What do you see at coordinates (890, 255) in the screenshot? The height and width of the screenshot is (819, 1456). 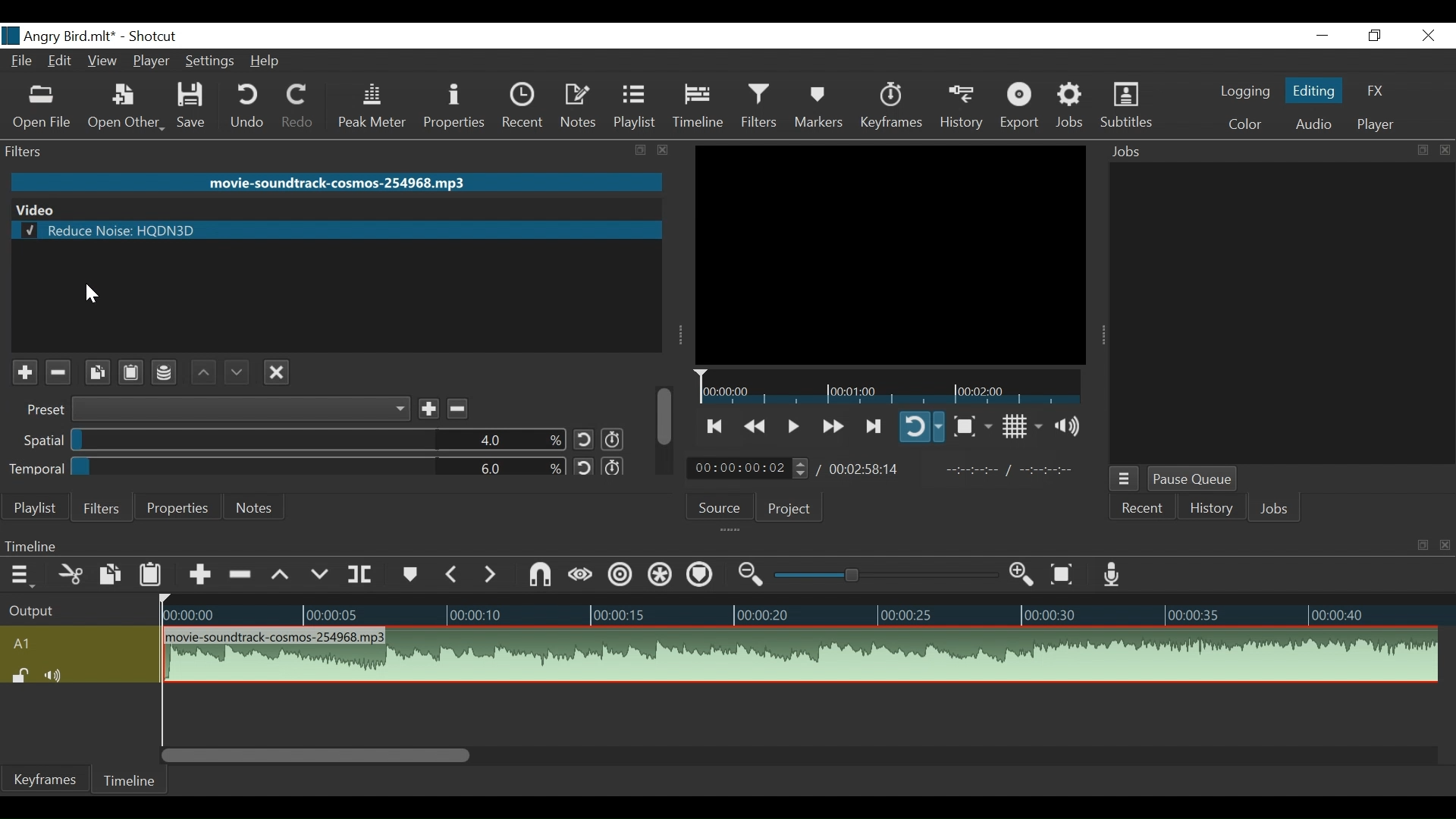 I see `Media Viewer` at bounding box center [890, 255].